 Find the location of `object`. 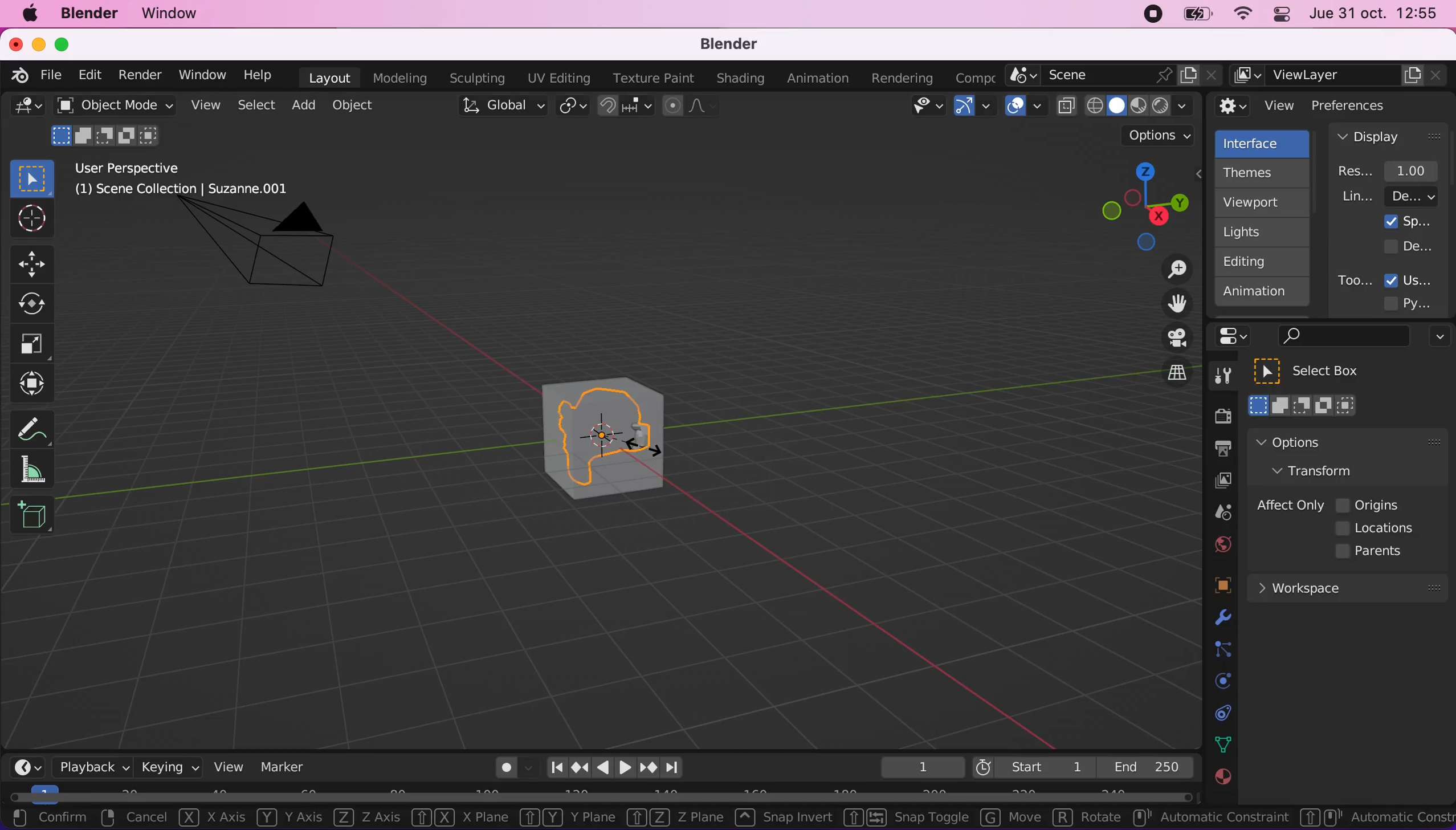

object is located at coordinates (356, 105).